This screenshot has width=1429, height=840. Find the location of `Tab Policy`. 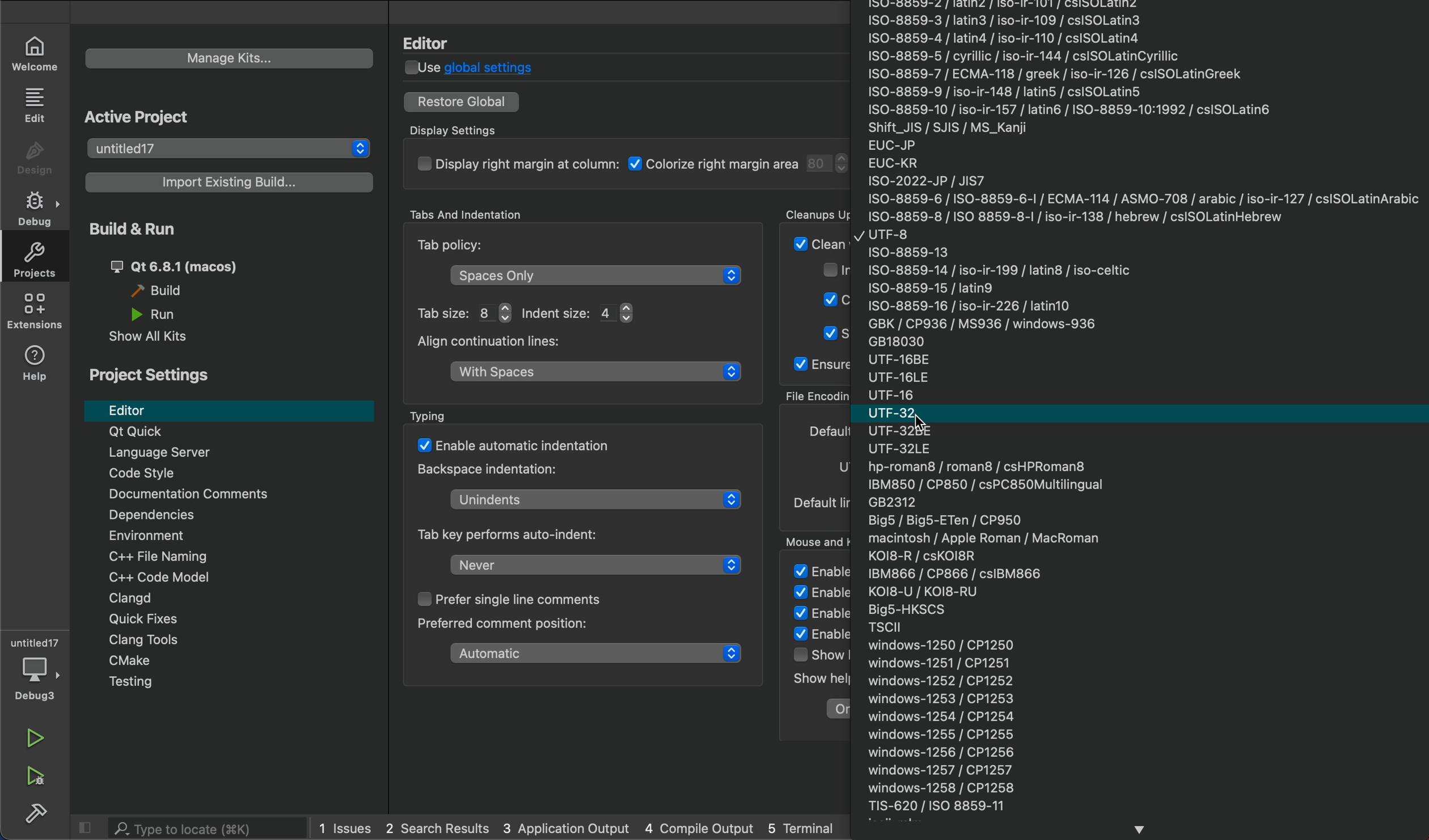

Tab Policy is located at coordinates (455, 247).